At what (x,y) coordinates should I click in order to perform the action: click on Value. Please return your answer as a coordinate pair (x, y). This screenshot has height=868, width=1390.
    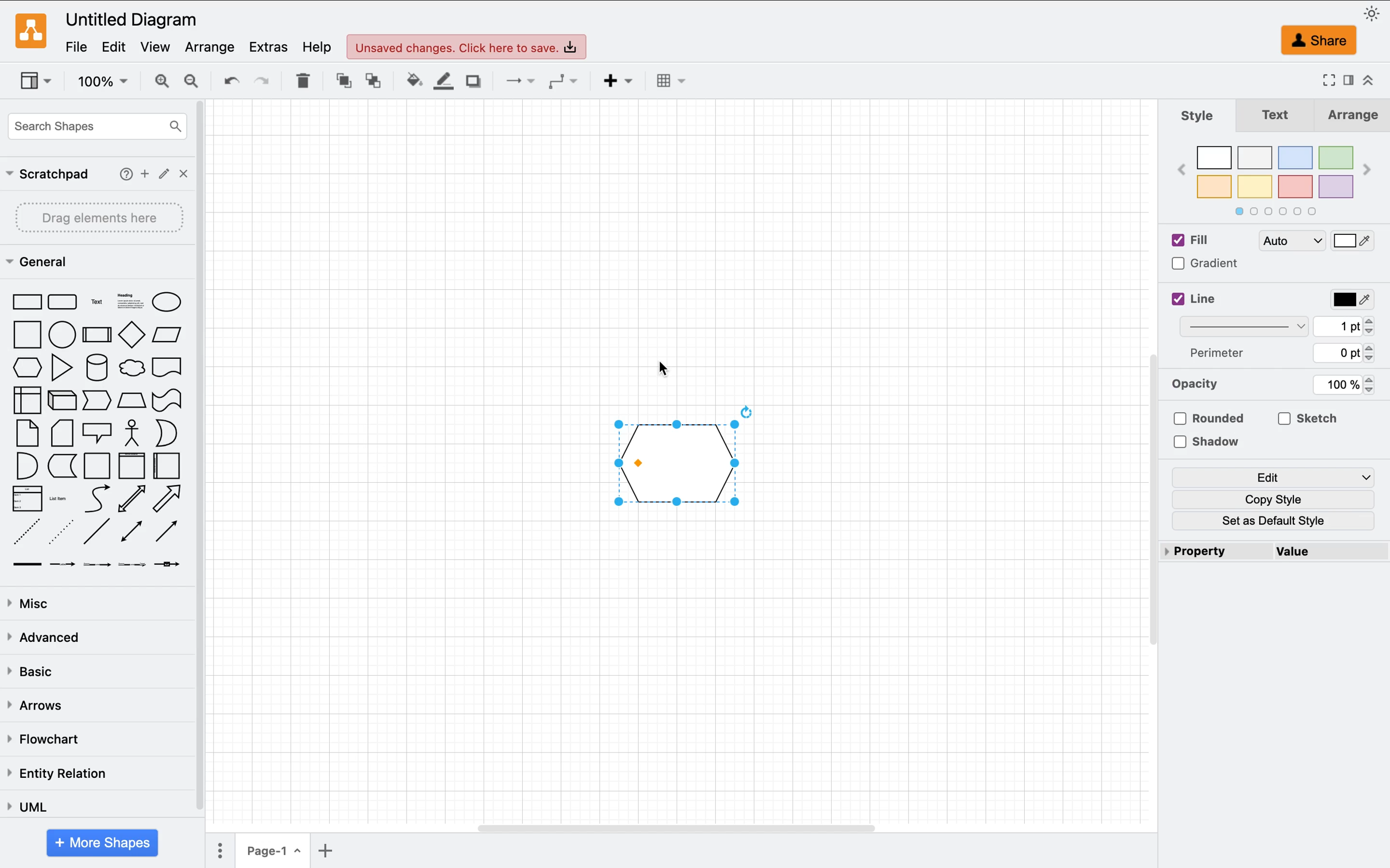
    Looking at the image, I should click on (1334, 556).